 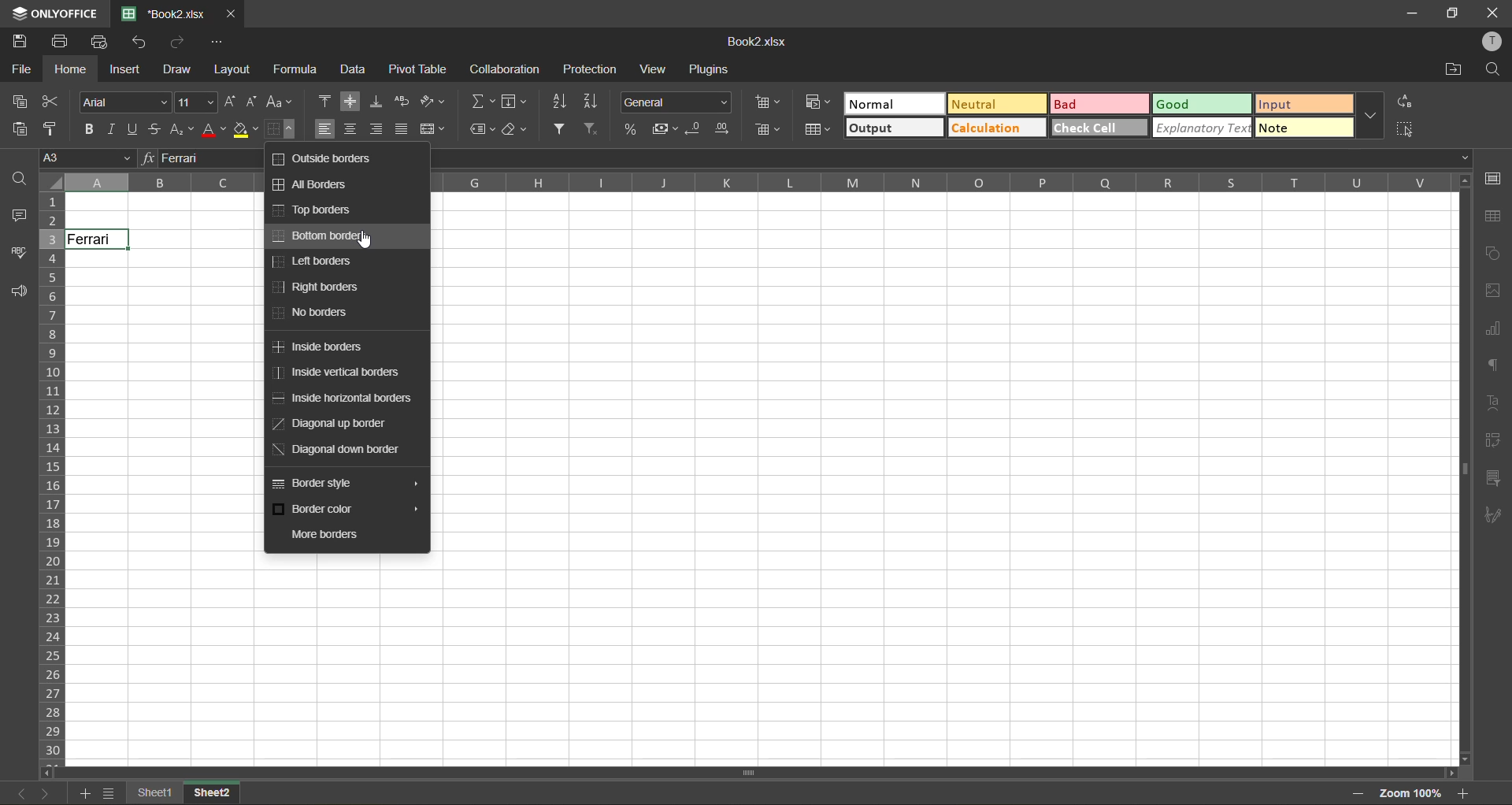 I want to click on align center, so click(x=351, y=129).